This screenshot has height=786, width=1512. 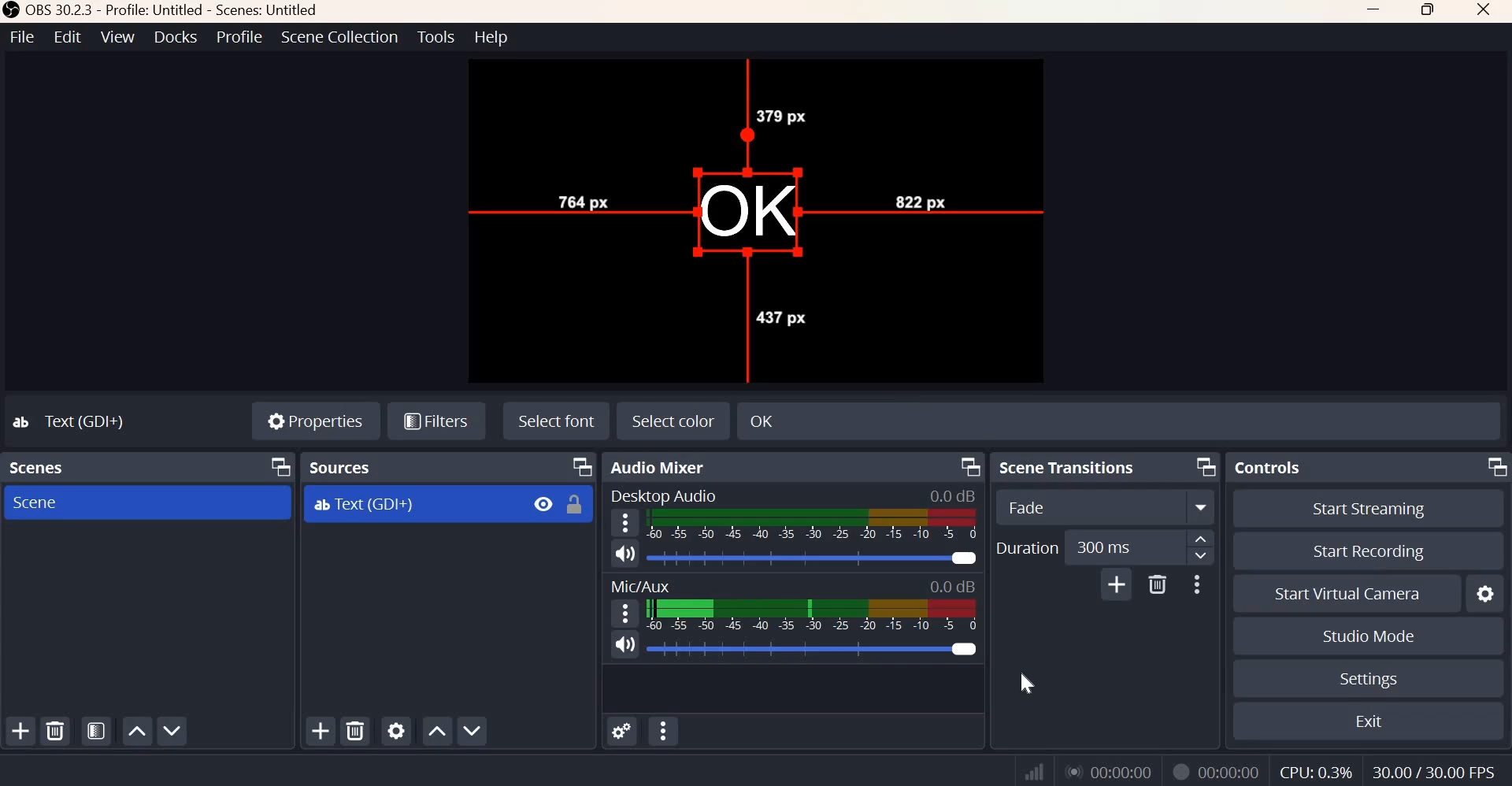 I want to click on Properties, so click(x=316, y=418).